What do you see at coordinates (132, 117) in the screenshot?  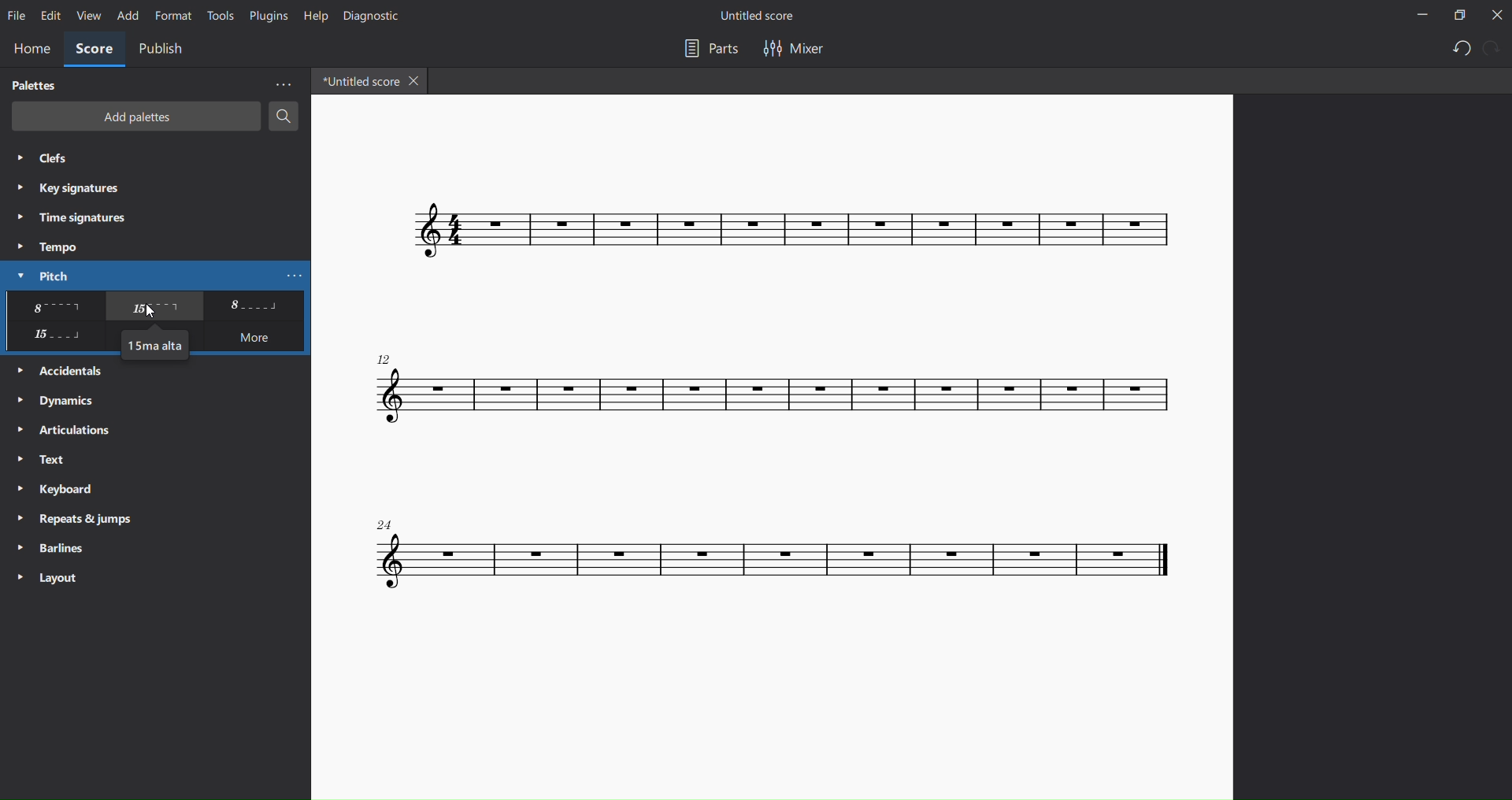 I see `add palettes` at bounding box center [132, 117].